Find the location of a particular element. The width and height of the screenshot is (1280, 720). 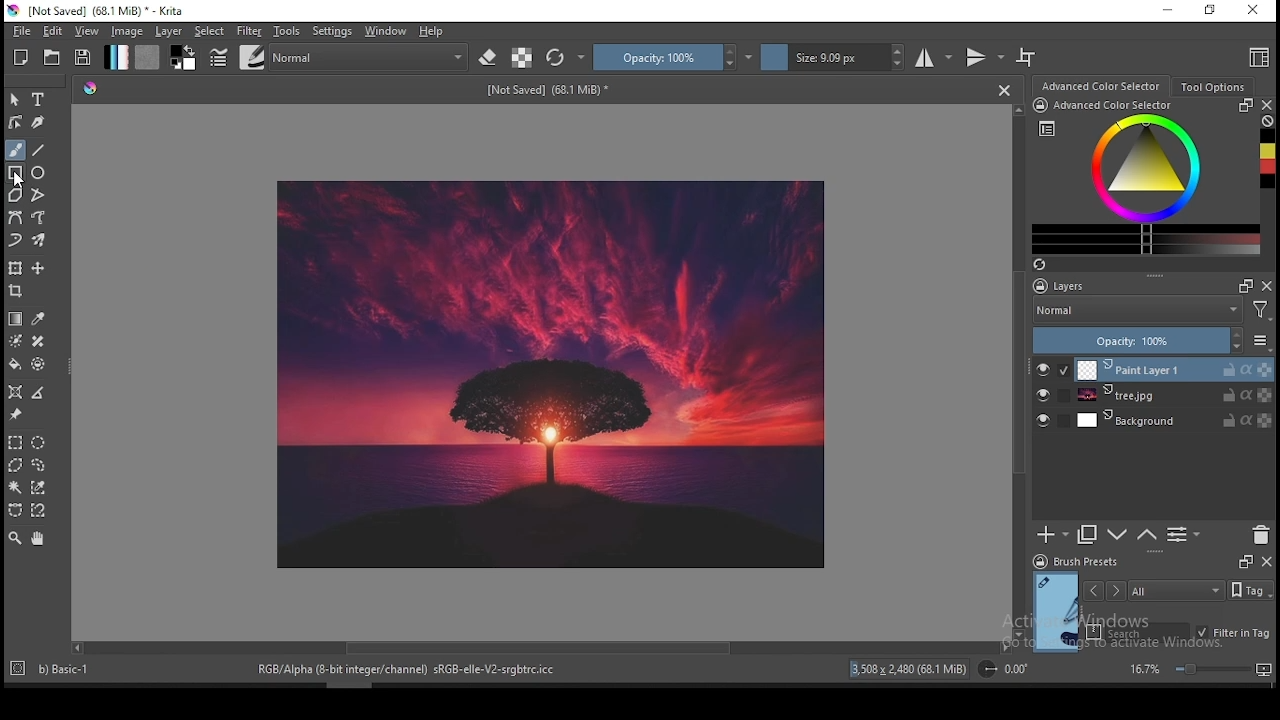

gradient fill is located at coordinates (117, 57).